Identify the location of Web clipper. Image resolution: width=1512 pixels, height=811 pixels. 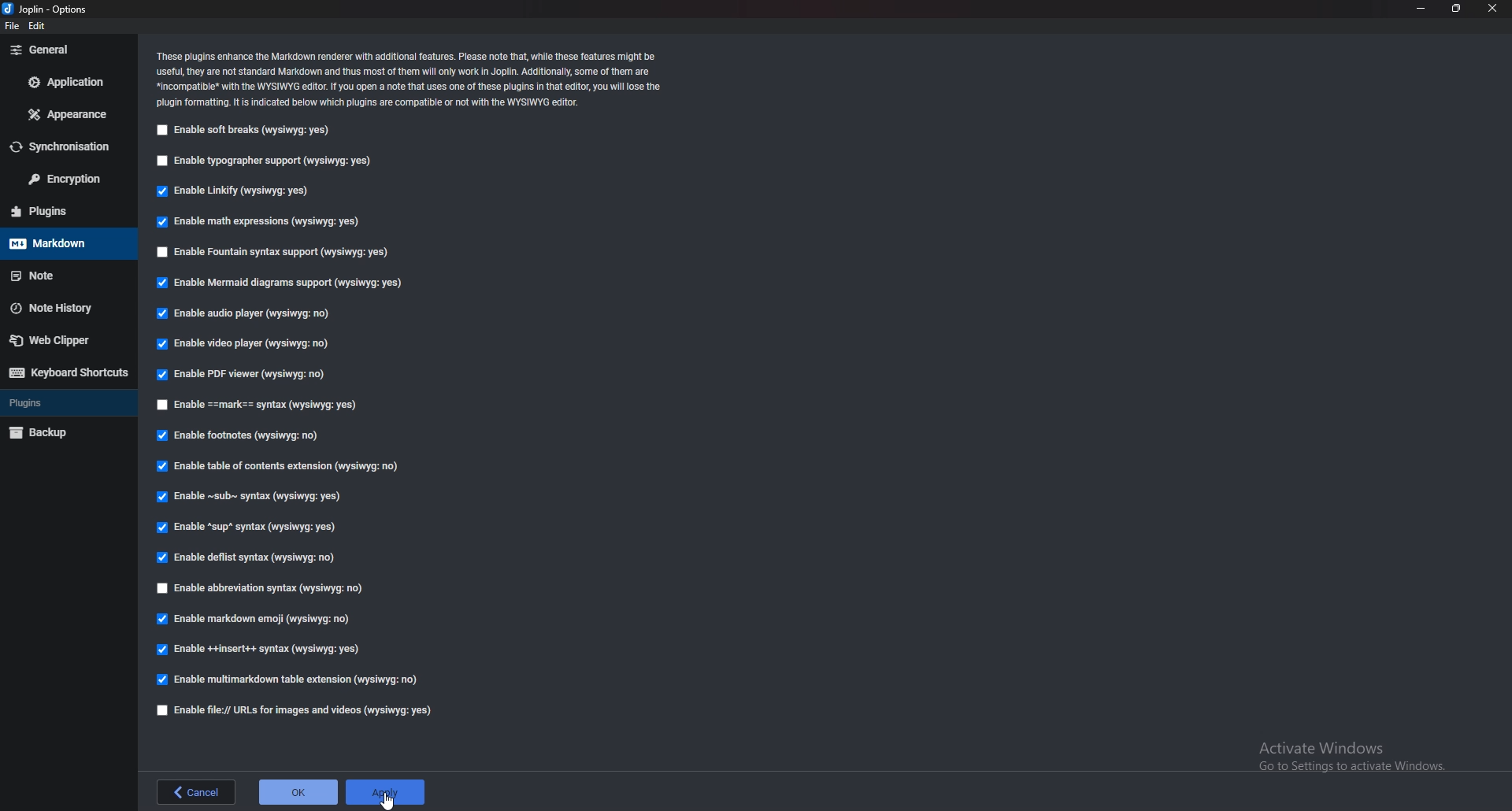
(63, 342).